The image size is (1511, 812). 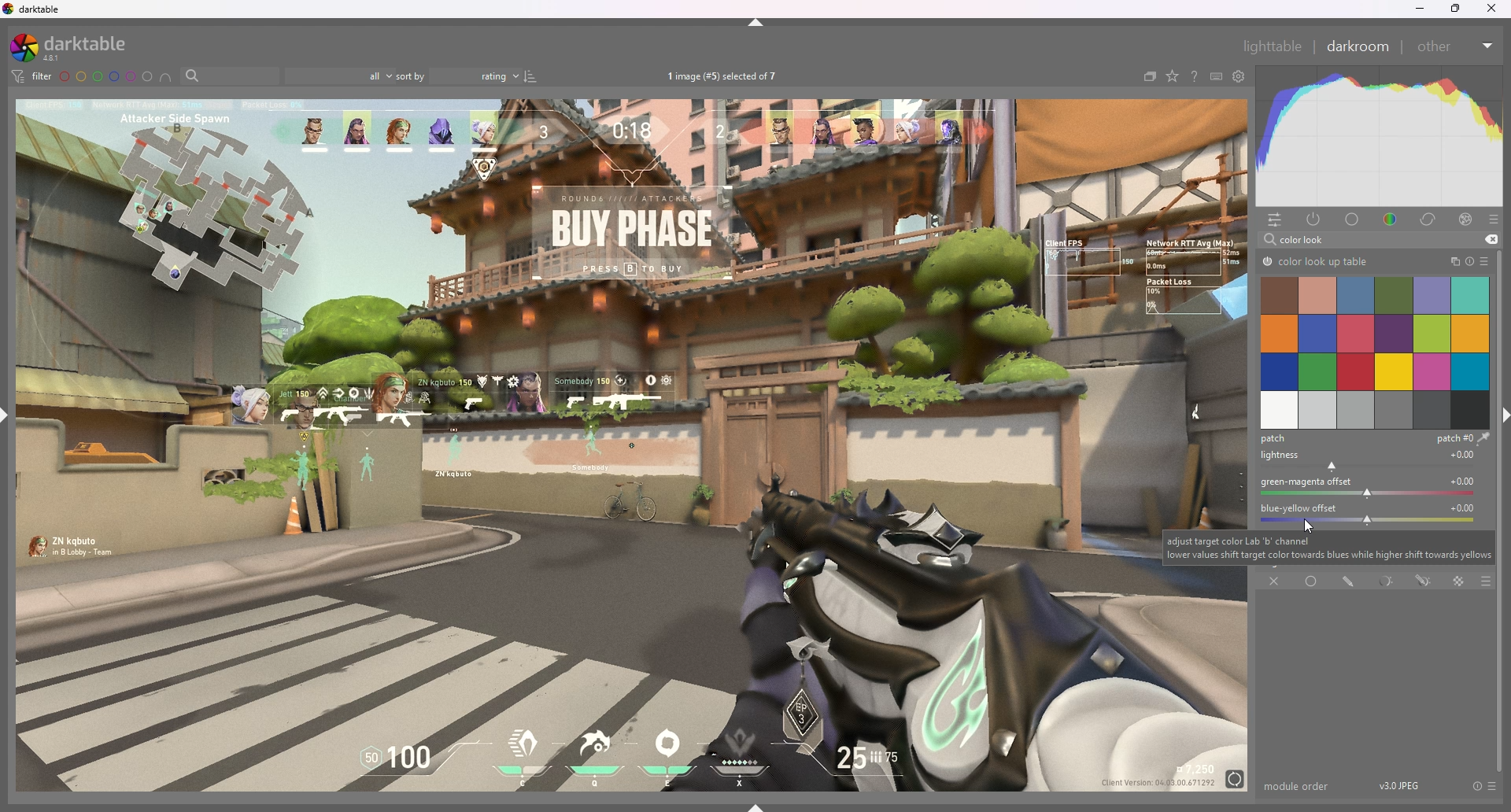 What do you see at coordinates (75, 46) in the screenshot?
I see `darktable` at bounding box center [75, 46].